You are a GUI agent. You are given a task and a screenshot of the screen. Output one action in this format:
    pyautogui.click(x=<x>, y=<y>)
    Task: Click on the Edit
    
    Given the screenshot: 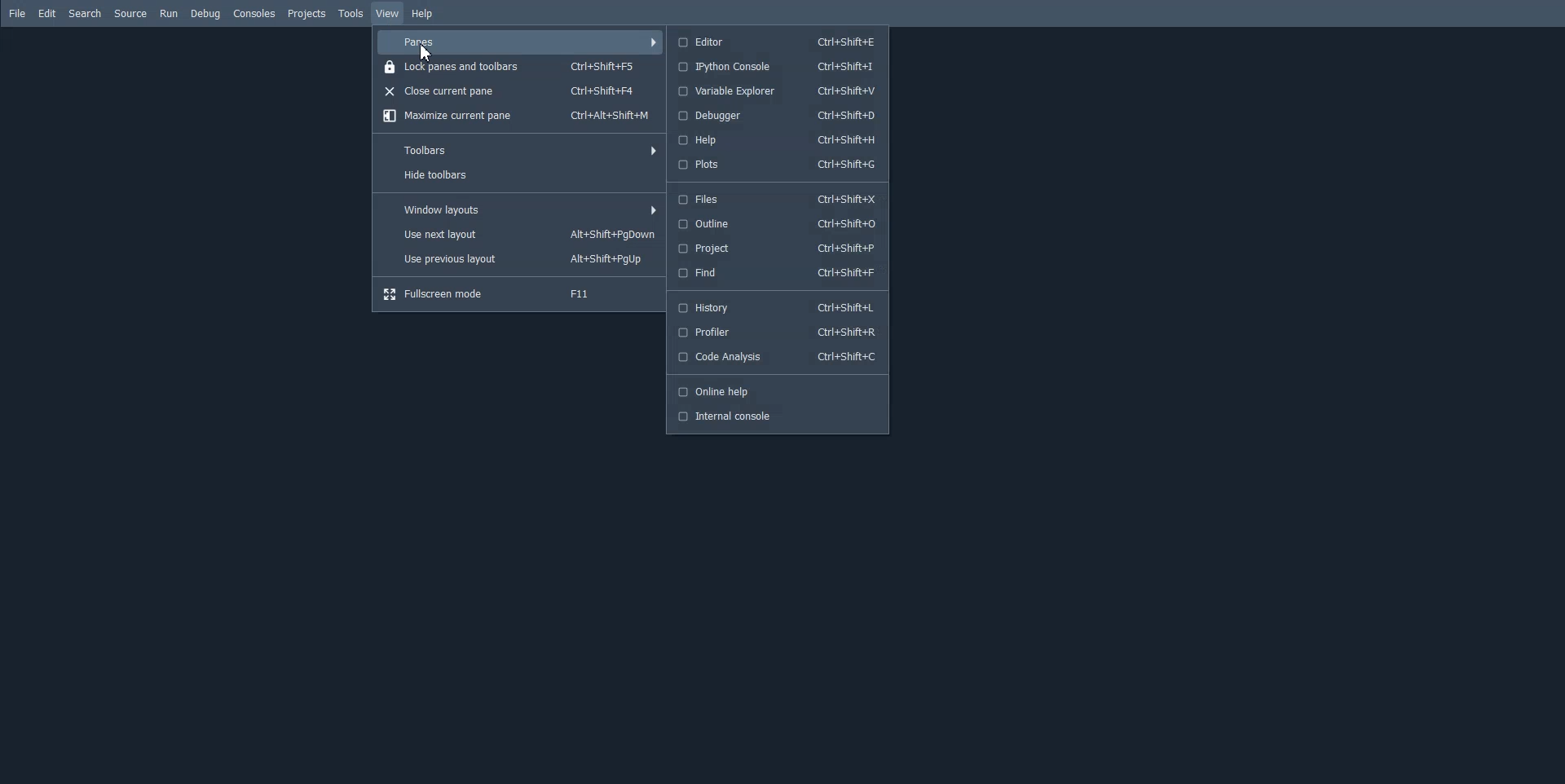 What is the action you would take?
    pyautogui.click(x=47, y=13)
    